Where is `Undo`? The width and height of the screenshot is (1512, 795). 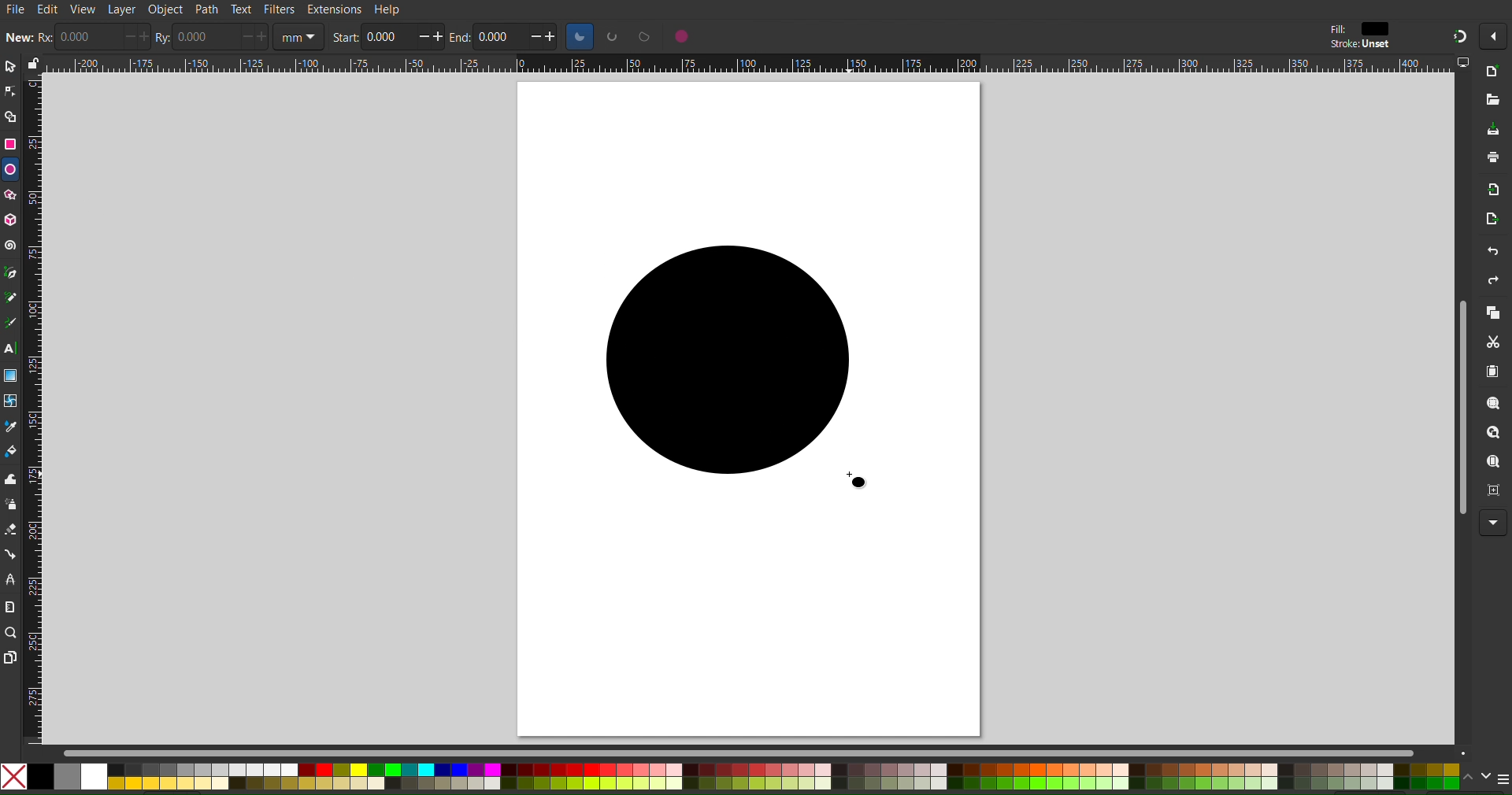 Undo is located at coordinates (1492, 249).